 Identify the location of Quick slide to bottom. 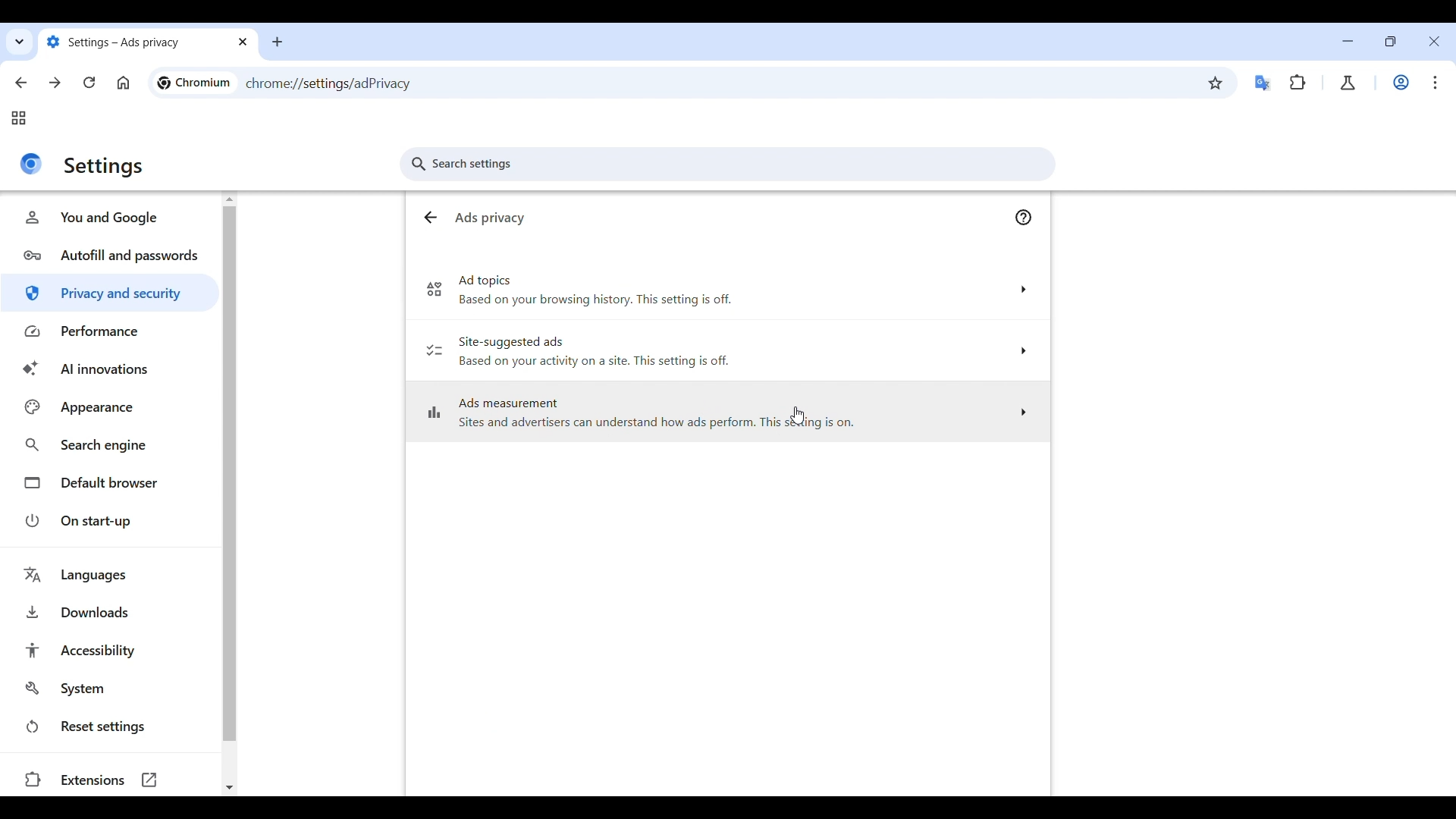
(229, 788).